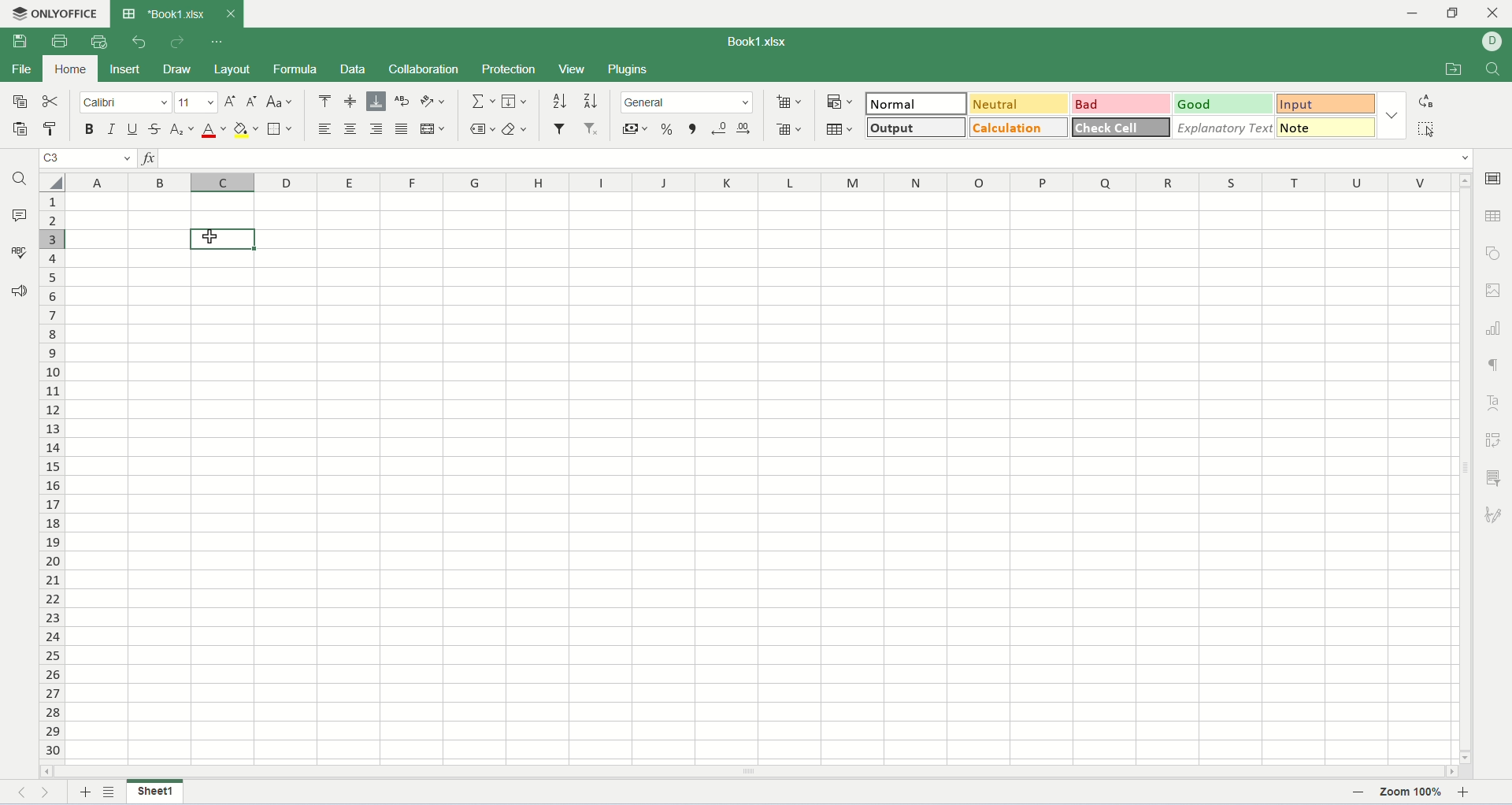 Image resolution: width=1512 pixels, height=805 pixels. I want to click on cell settings, so click(1496, 176).